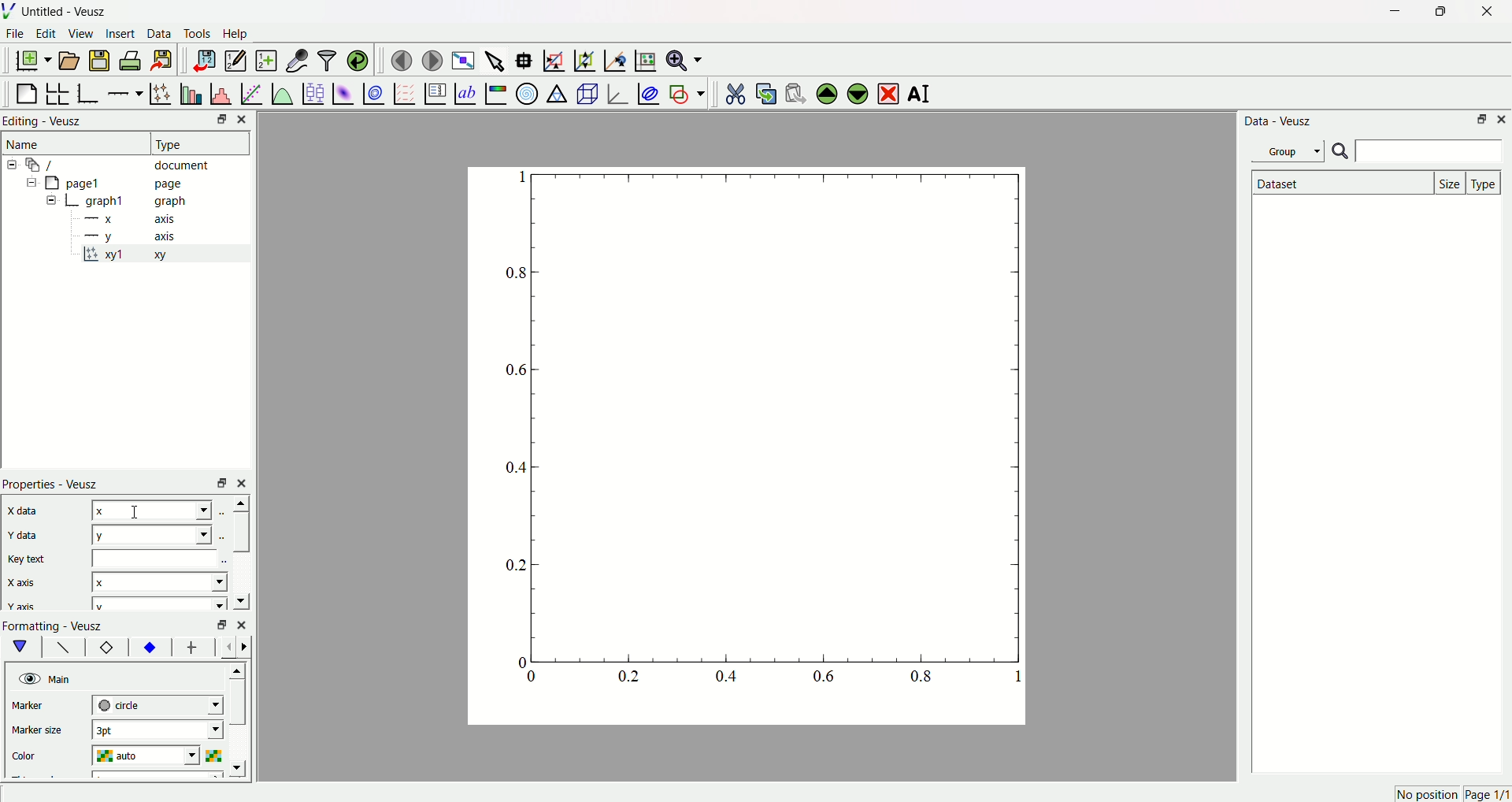 Image resolution: width=1512 pixels, height=802 pixels. I want to click on “document, so click(125, 164).